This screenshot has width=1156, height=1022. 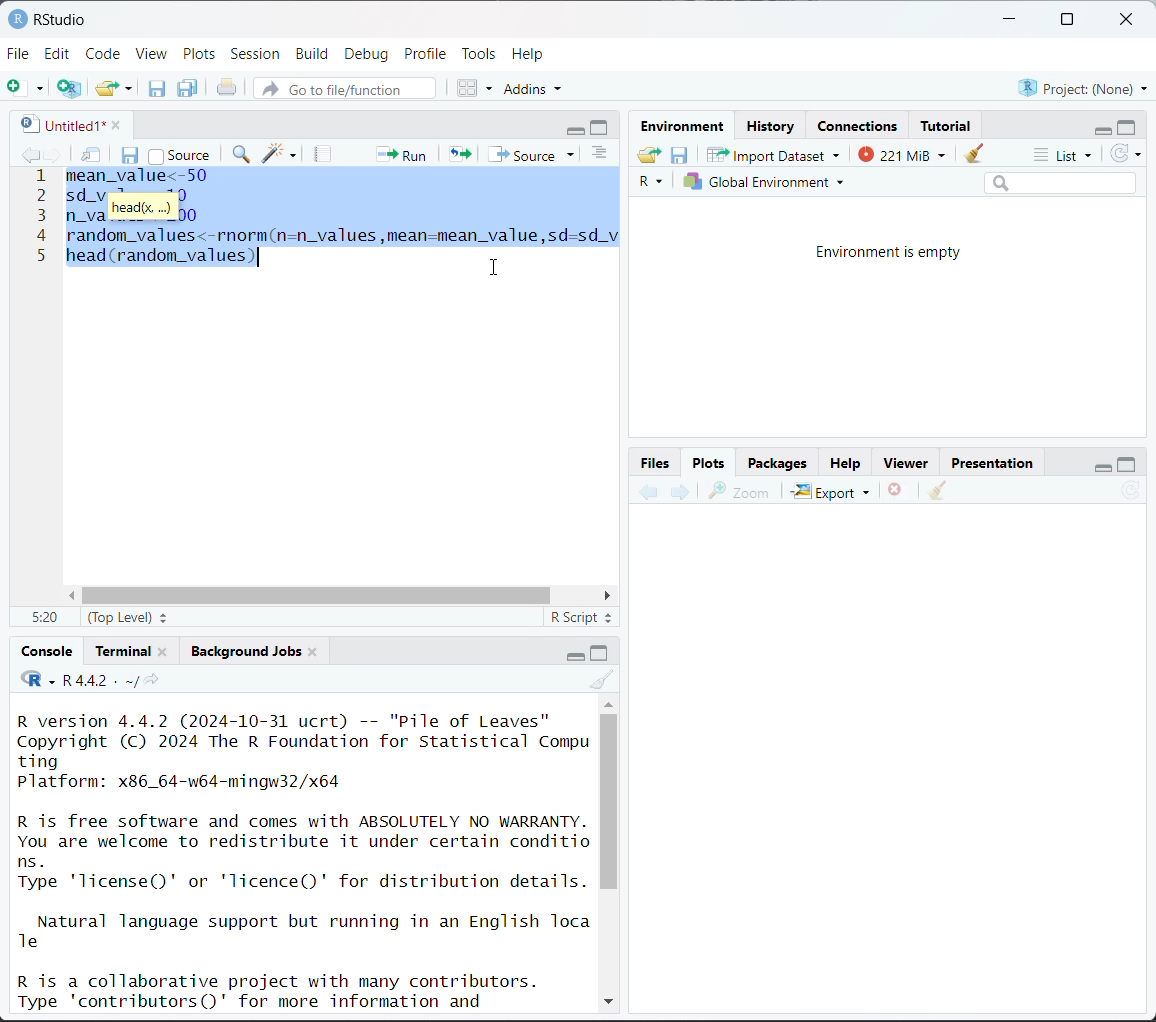 What do you see at coordinates (30, 156) in the screenshot?
I see `go backward to previous source location` at bounding box center [30, 156].